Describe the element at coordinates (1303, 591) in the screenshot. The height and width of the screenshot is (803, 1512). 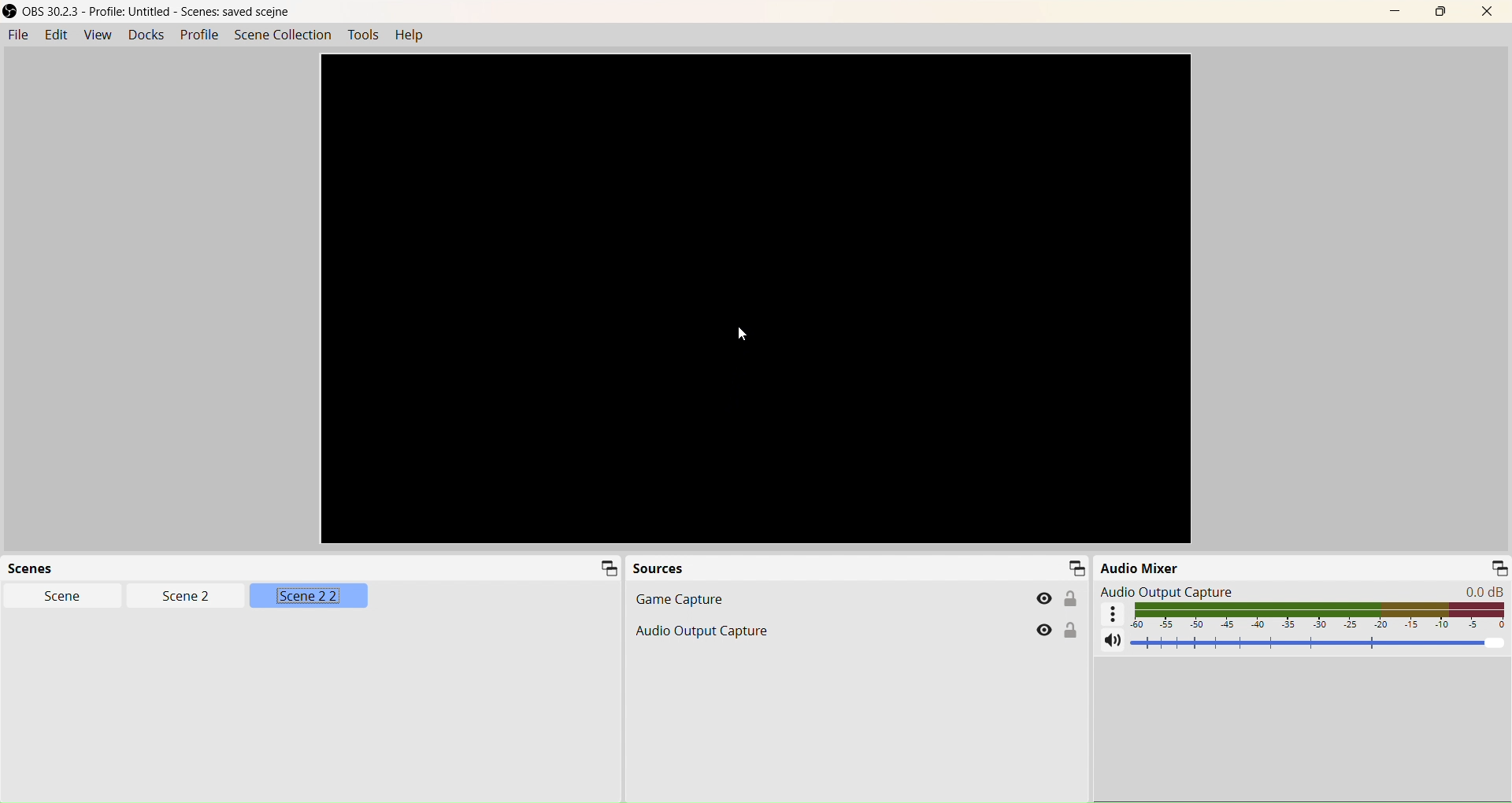
I see `Audio Output Capture` at that location.